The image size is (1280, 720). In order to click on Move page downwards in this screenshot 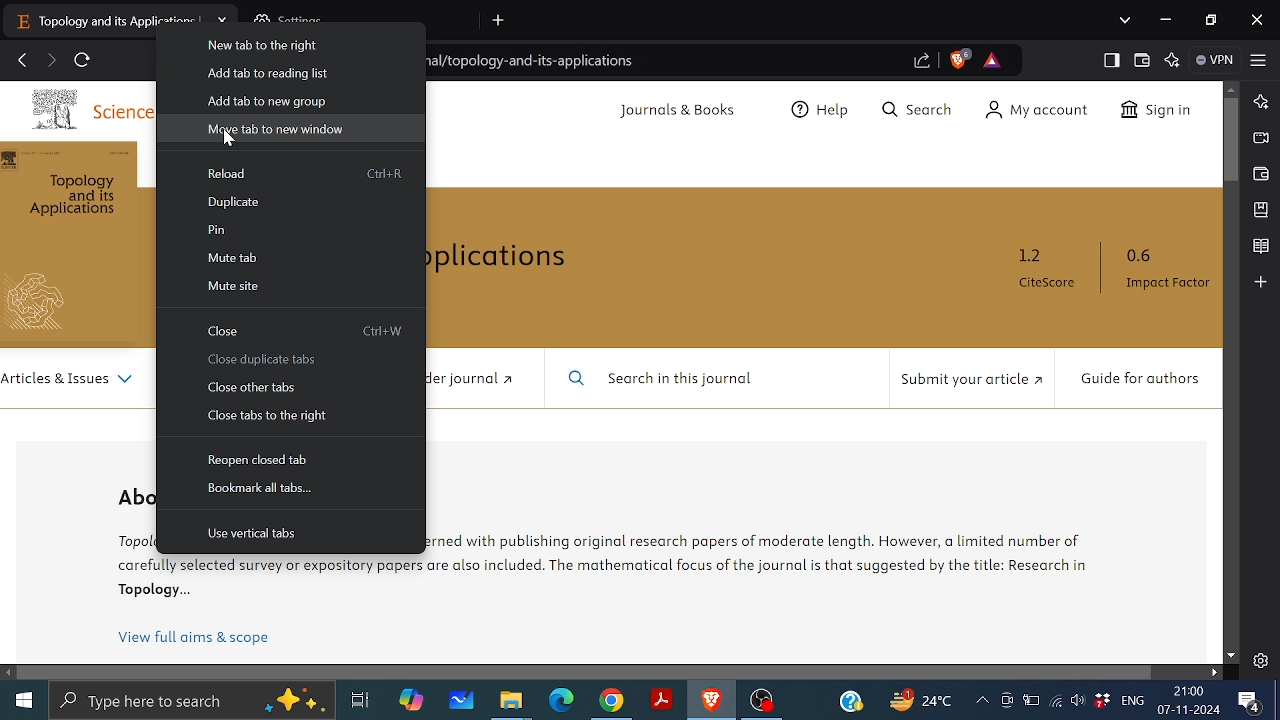, I will do `click(1231, 655)`.